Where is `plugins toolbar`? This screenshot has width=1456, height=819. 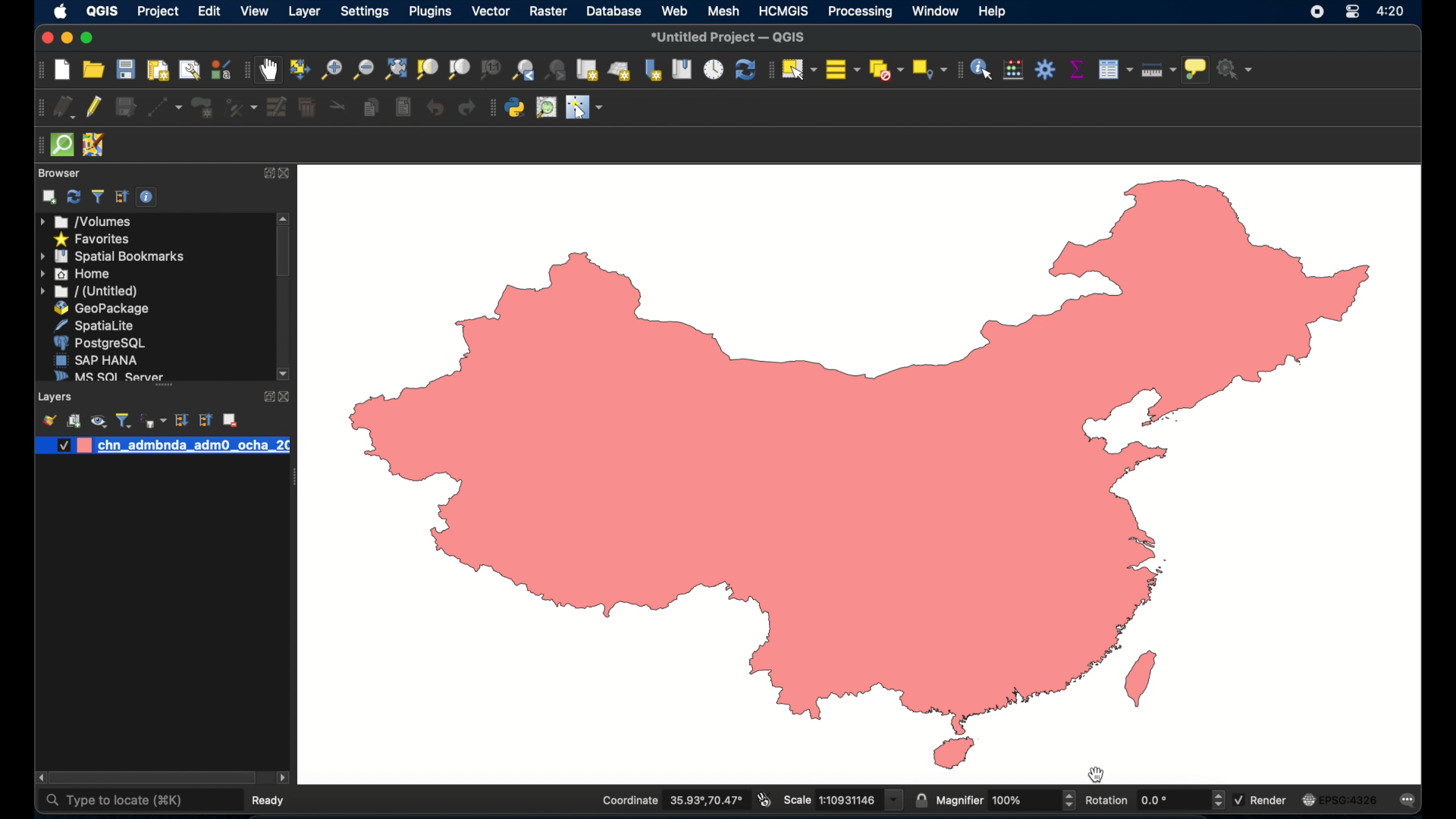 plugins toolbar is located at coordinates (491, 106).